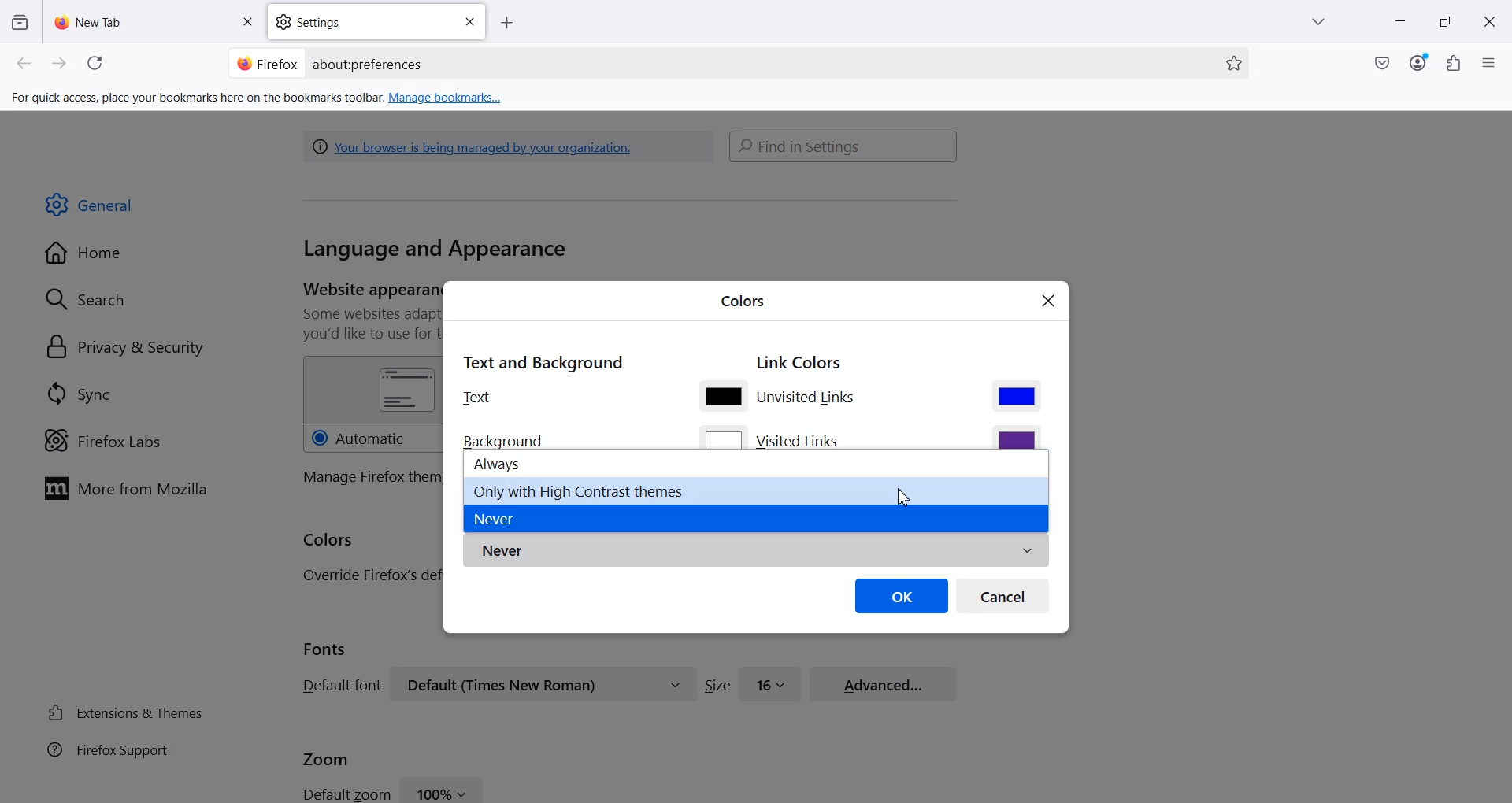  Describe the element at coordinates (267, 62) in the screenshot. I see `Firefox` at that location.